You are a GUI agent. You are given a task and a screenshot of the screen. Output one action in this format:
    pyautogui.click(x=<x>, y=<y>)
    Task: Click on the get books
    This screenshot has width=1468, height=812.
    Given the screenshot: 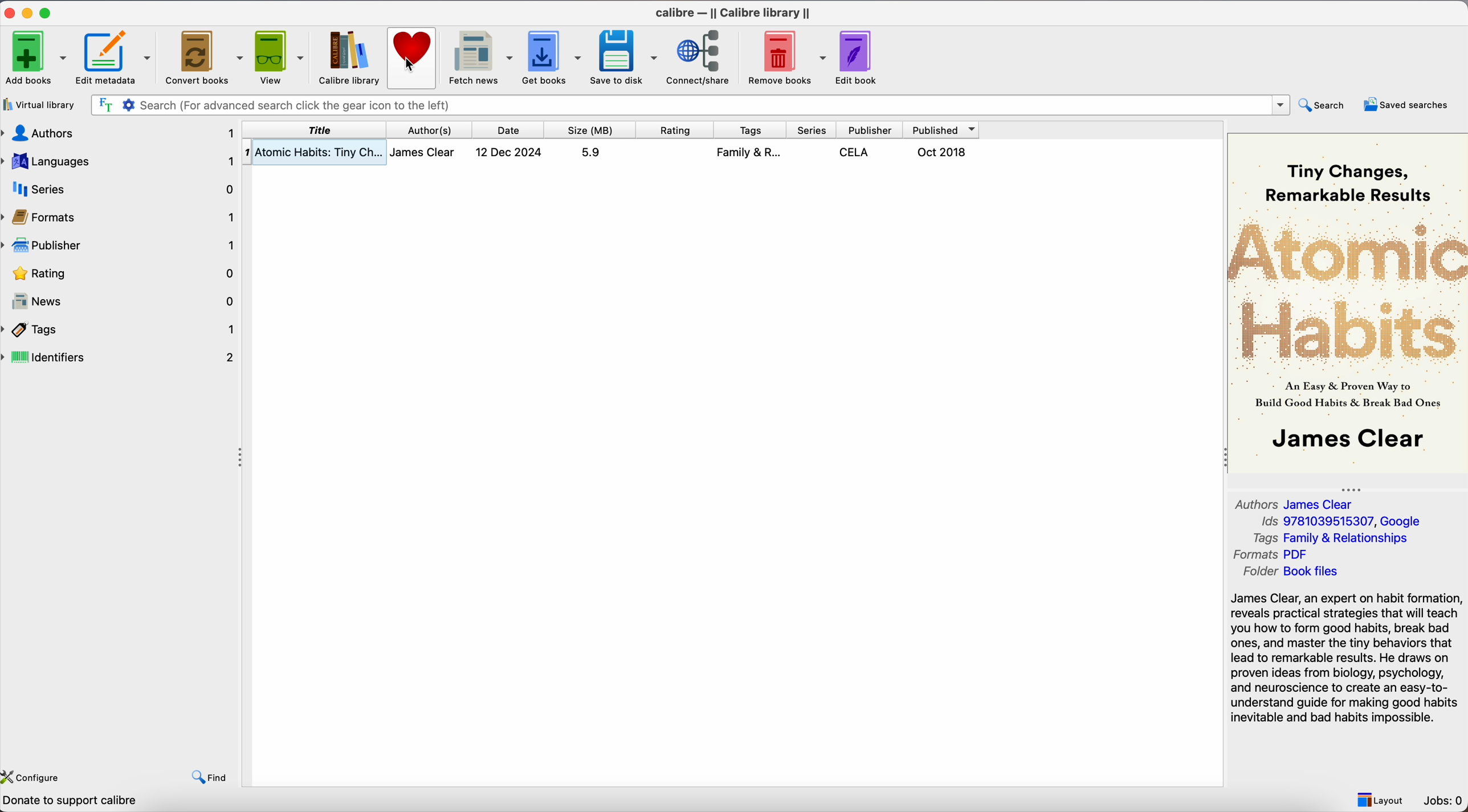 What is the action you would take?
    pyautogui.click(x=550, y=57)
    